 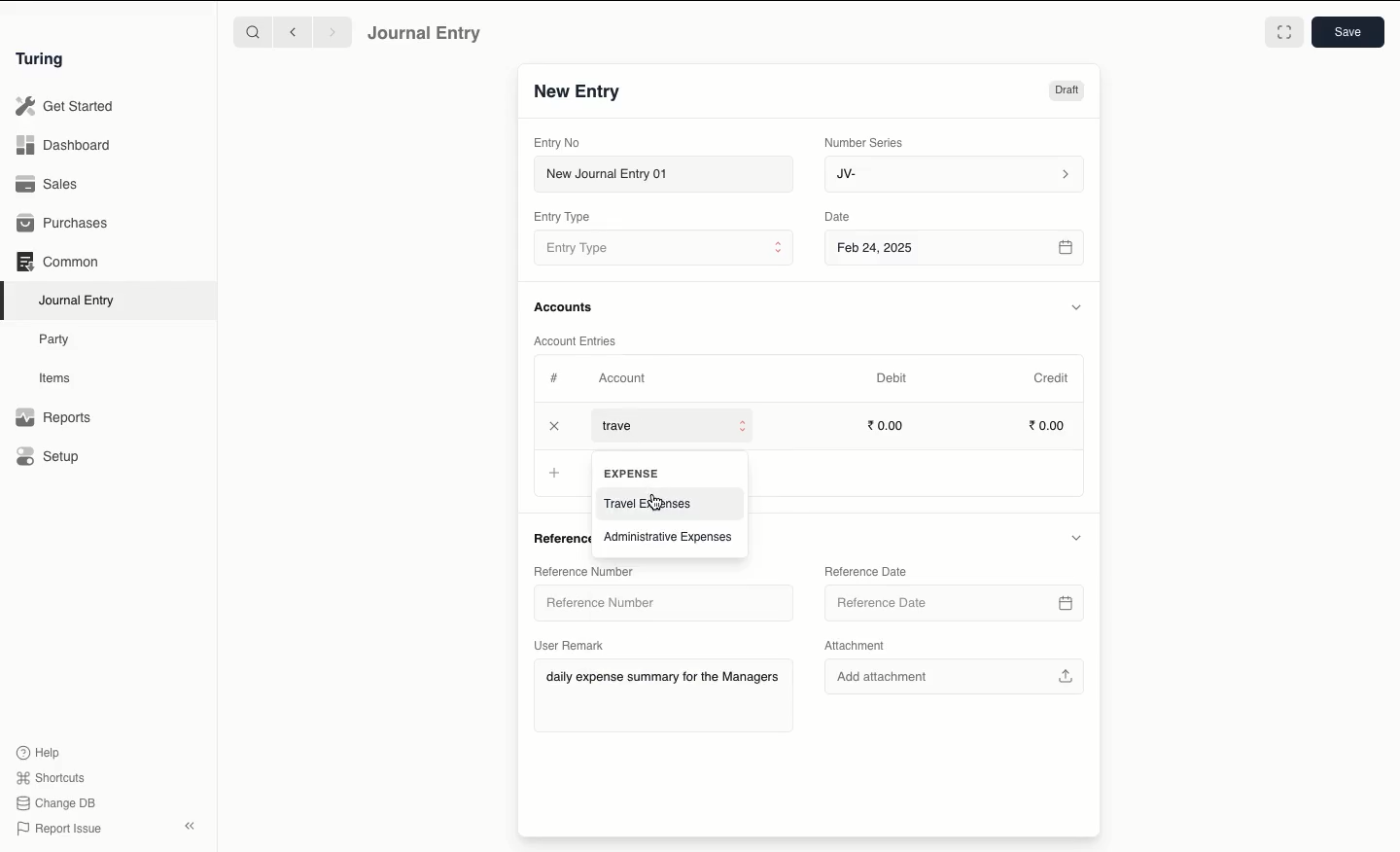 I want to click on Reference Date, so click(x=957, y=598).